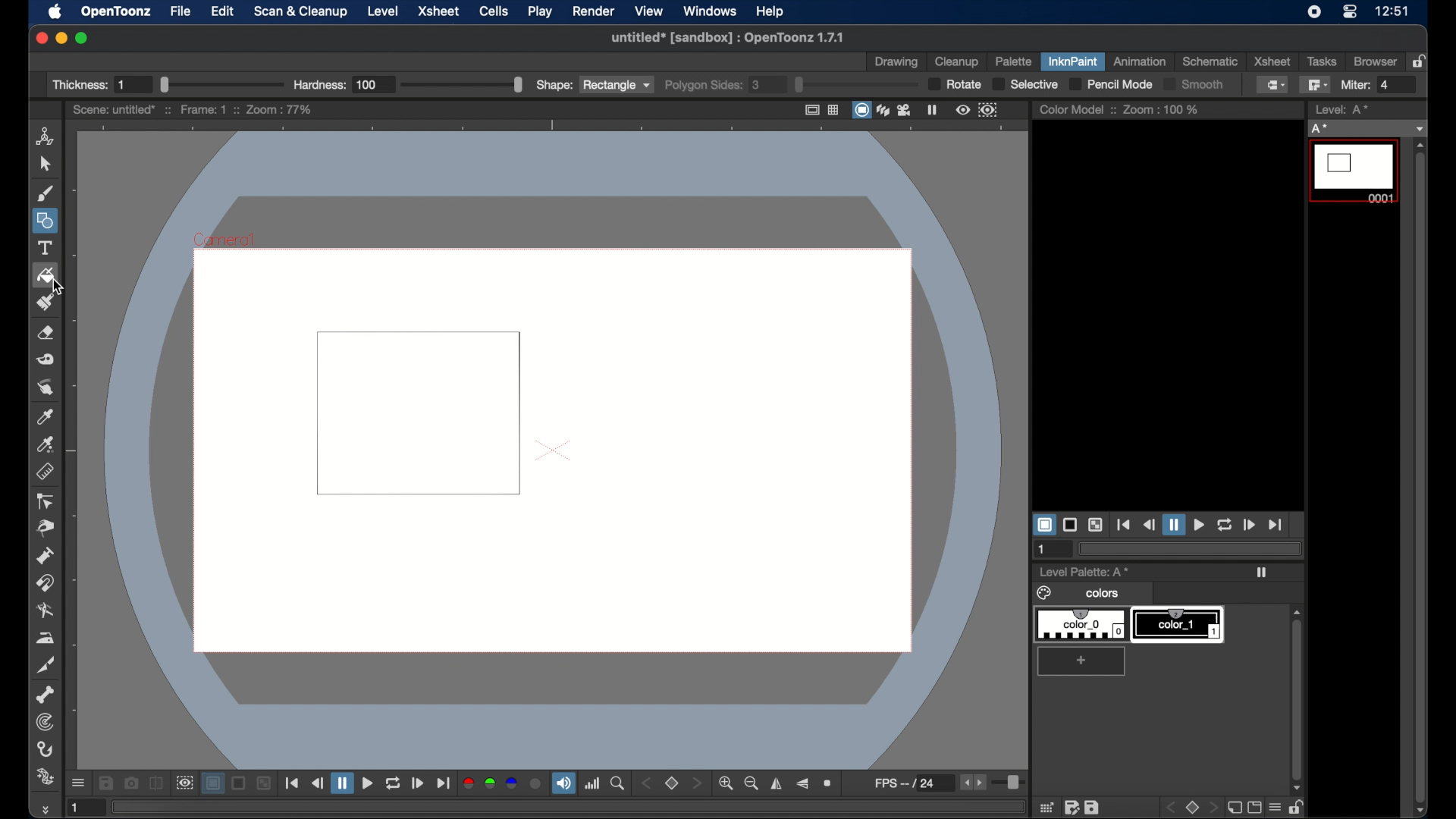 The width and height of the screenshot is (1456, 819). What do you see at coordinates (1072, 807) in the screenshot?
I see `edit` at bounding box center [1072, 807].